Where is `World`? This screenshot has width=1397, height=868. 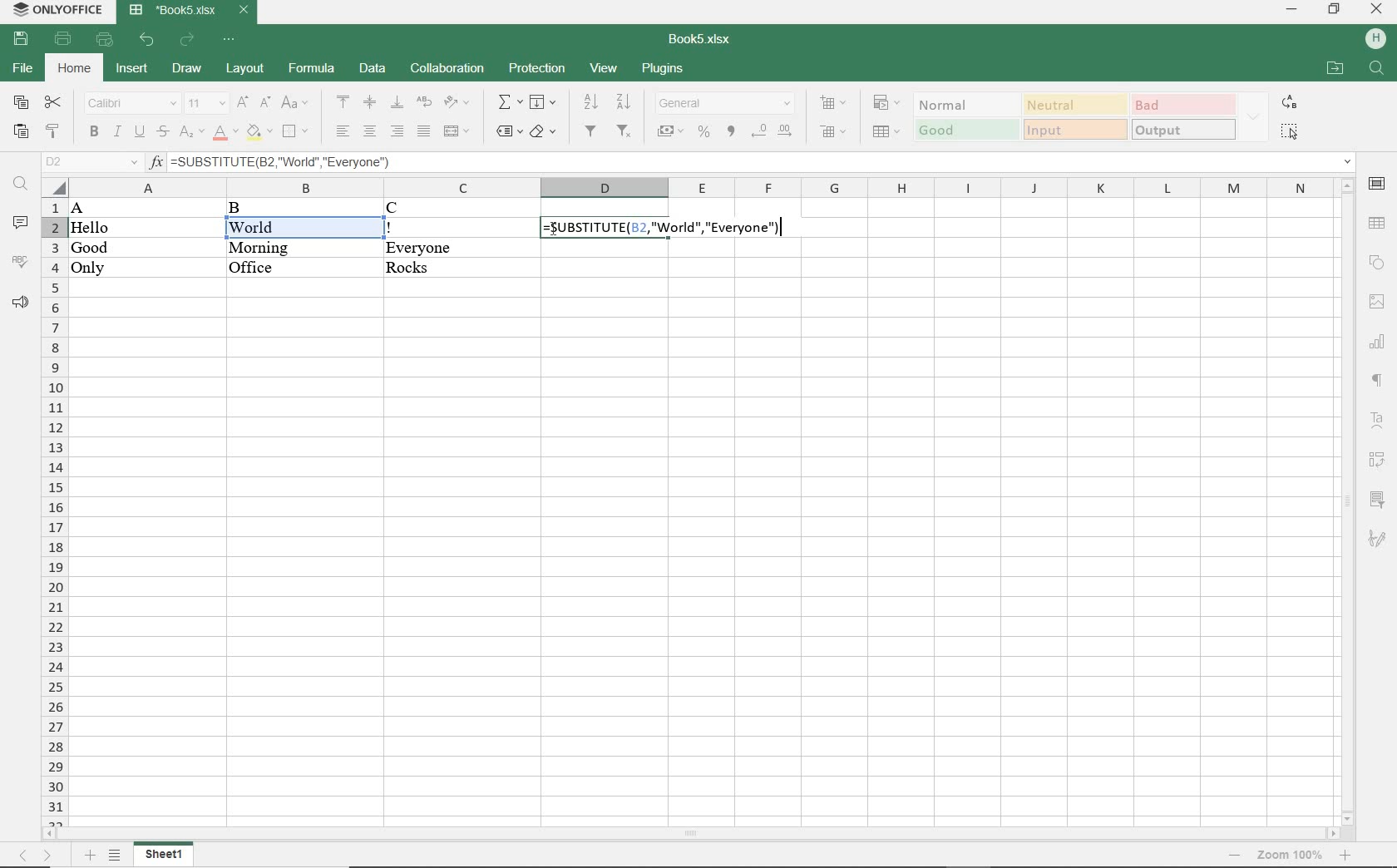 World is located at coordinates (274, 226).